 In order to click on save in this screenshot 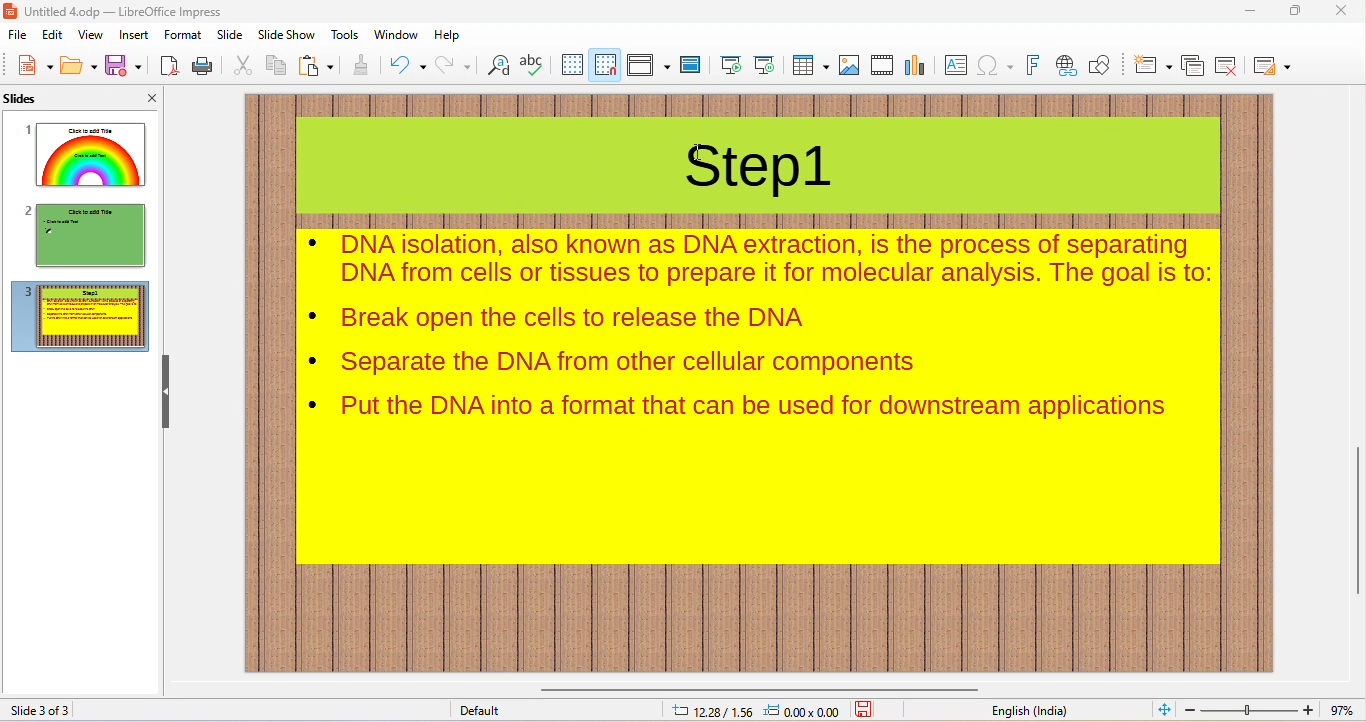, I will do `click(867, 710)`.